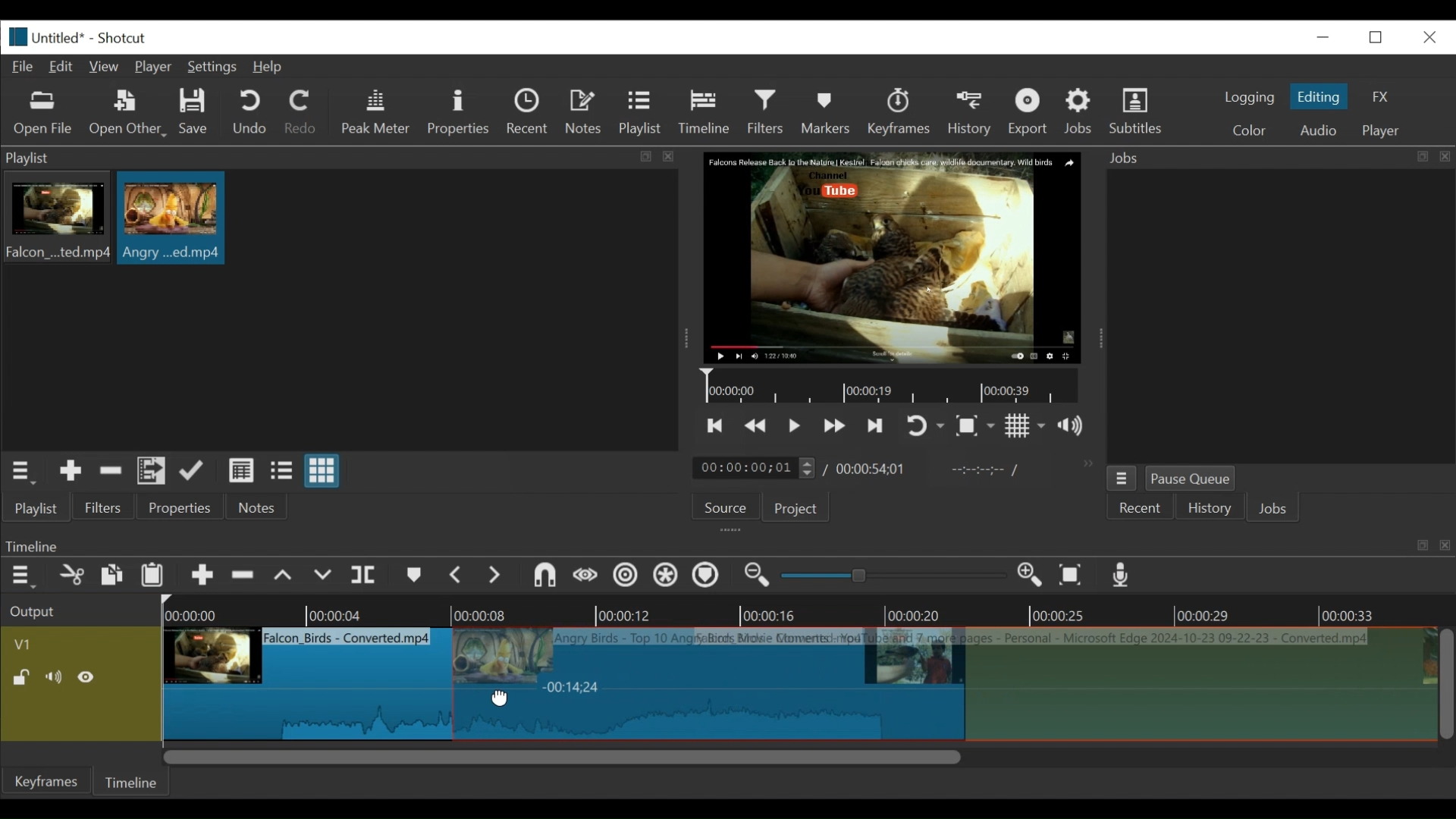  What do you see at coordinates (334, 158) in the screenshot?
I see `playlist panel` at bounding box center [334, 158].